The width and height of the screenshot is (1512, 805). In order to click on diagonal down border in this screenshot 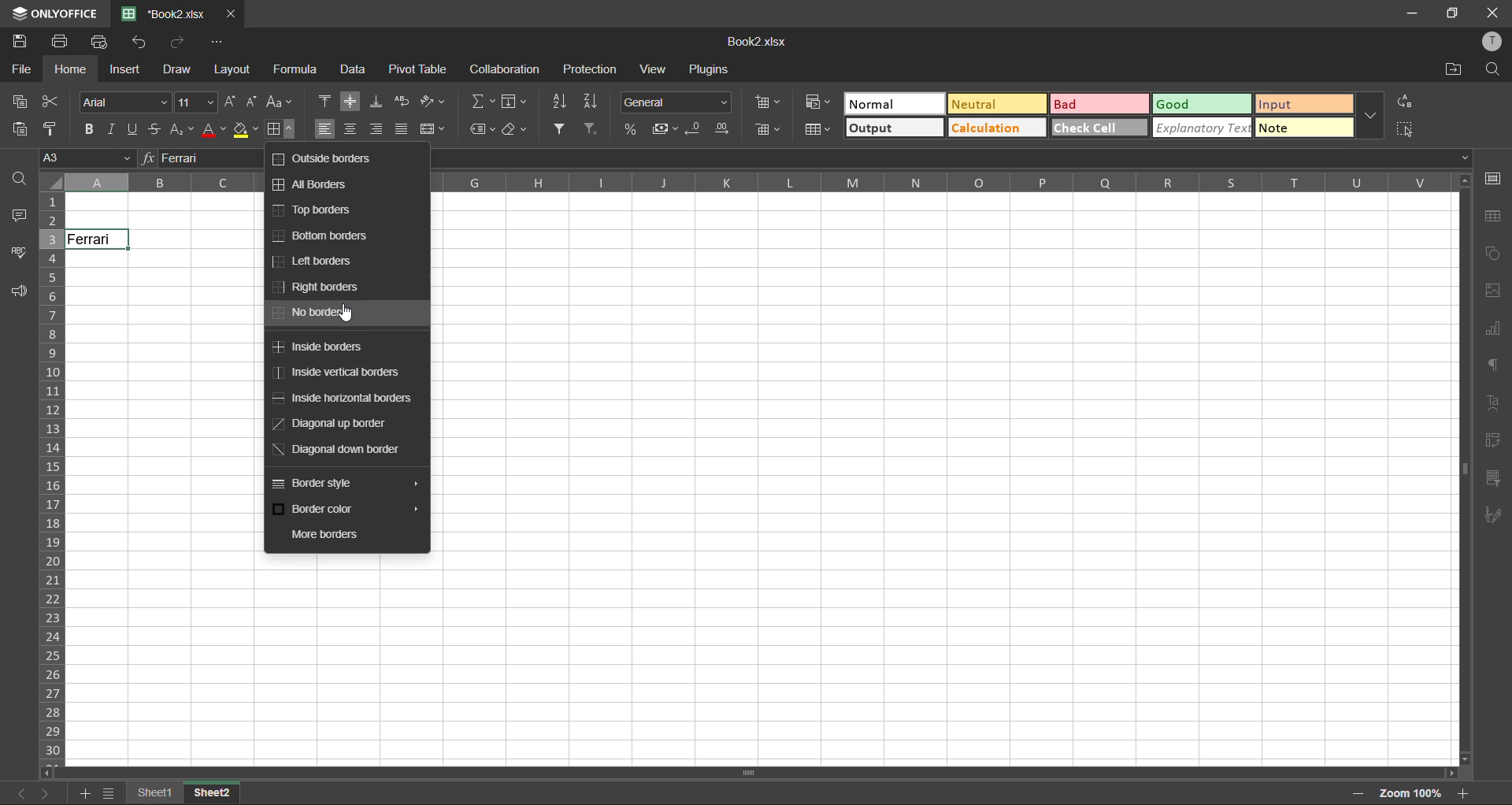, I will do `click(342, 449)`.